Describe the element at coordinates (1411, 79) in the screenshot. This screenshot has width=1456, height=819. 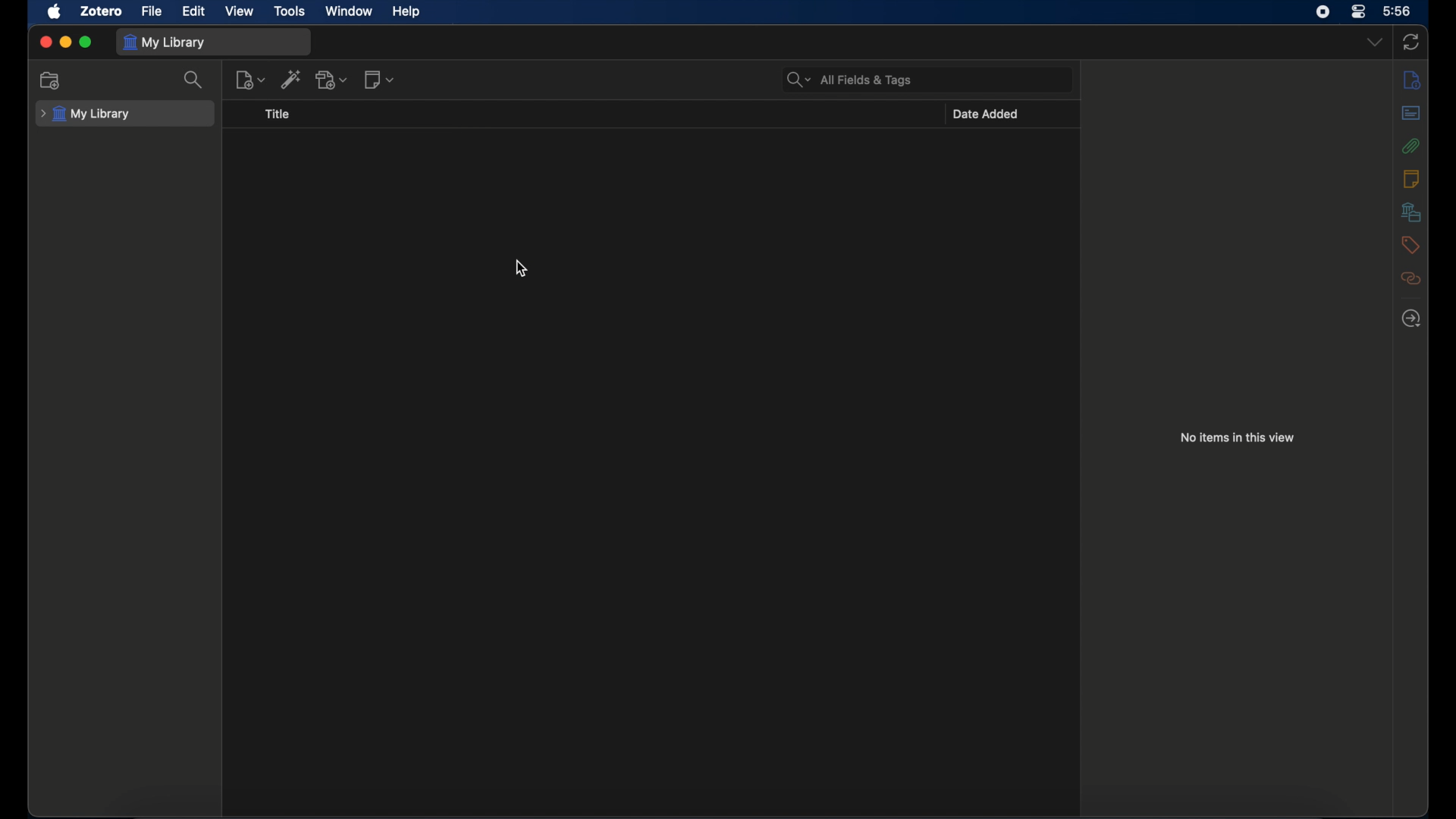
I see `info` at that location.